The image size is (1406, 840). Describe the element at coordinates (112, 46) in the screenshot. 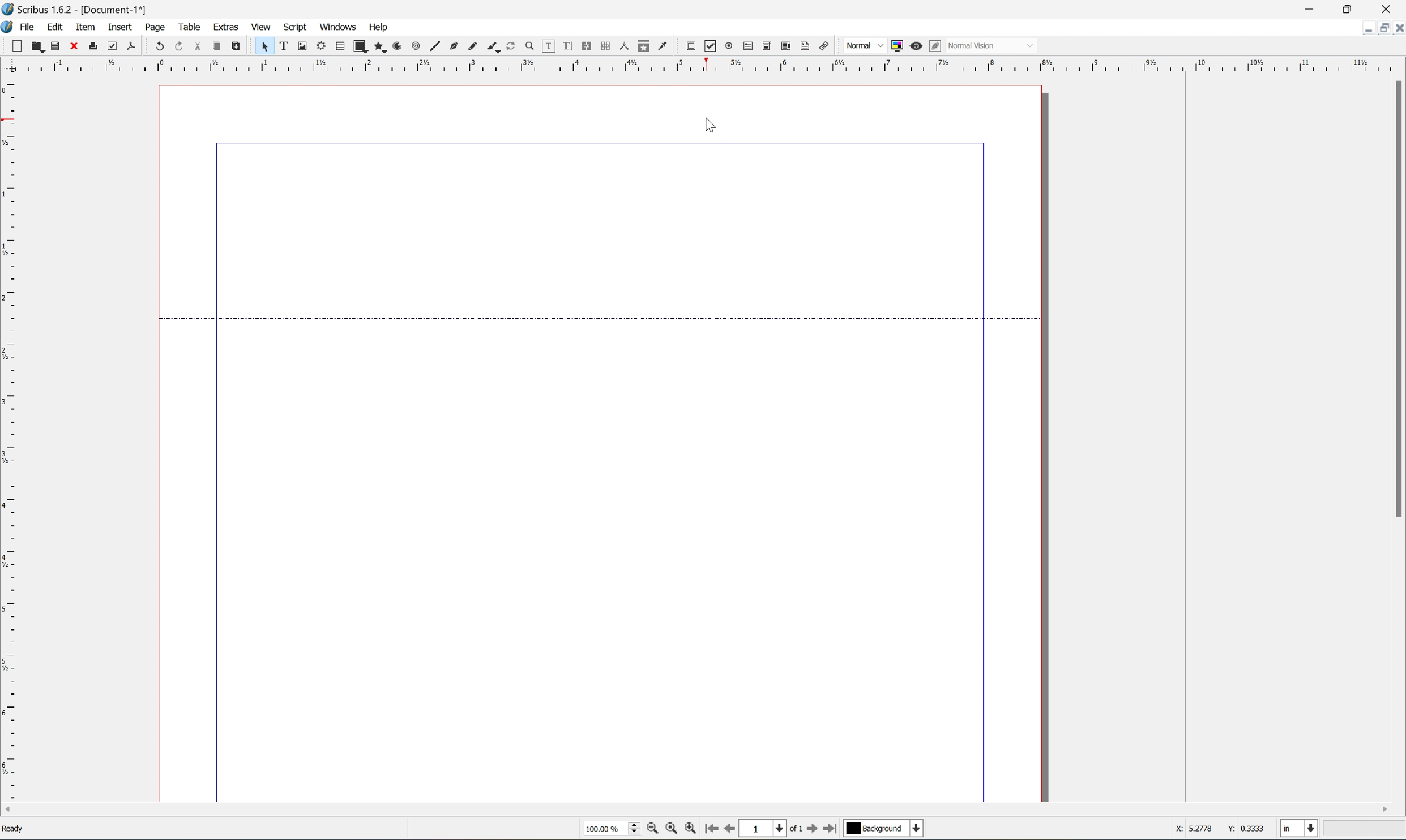

I see `preflight verifier` at that location.